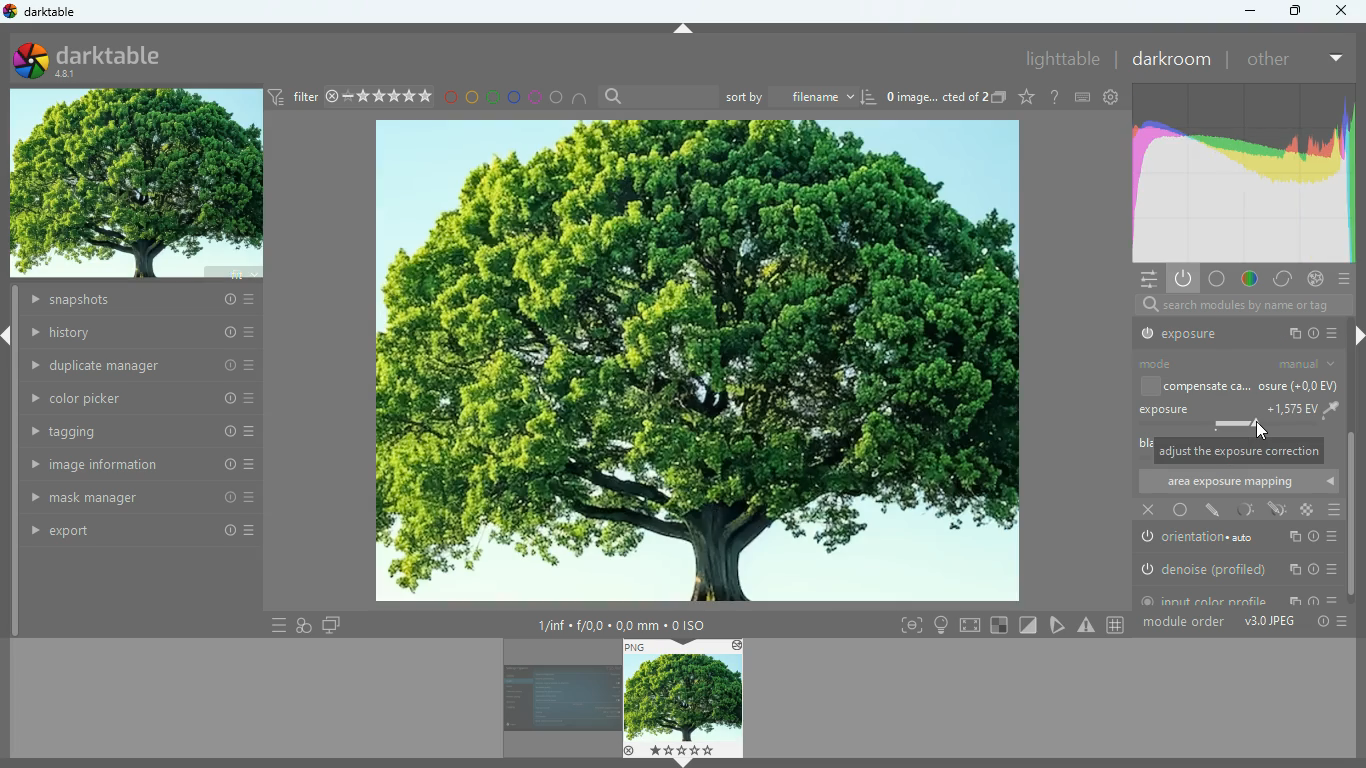  Describe the element at coordinates (1267, 623) in the screenshot. I see `v3.0 JPEG` at that location.